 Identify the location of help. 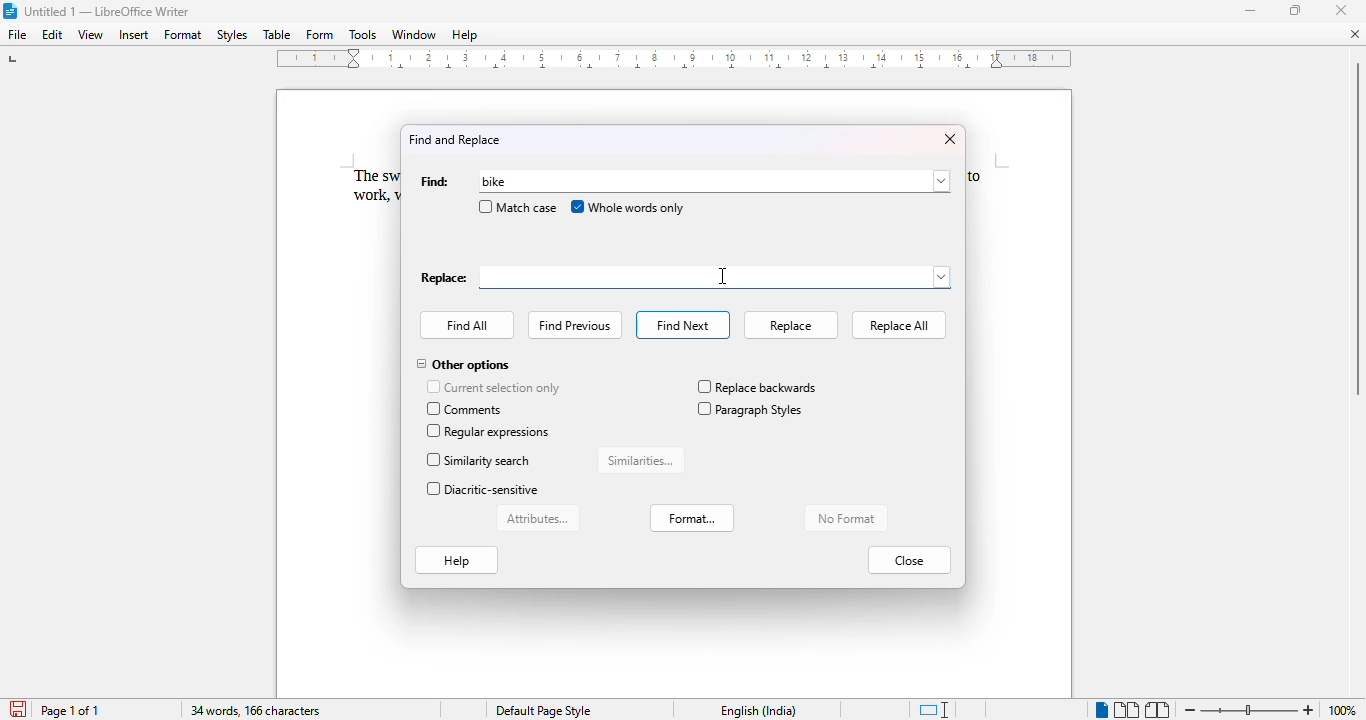
(457, 561).